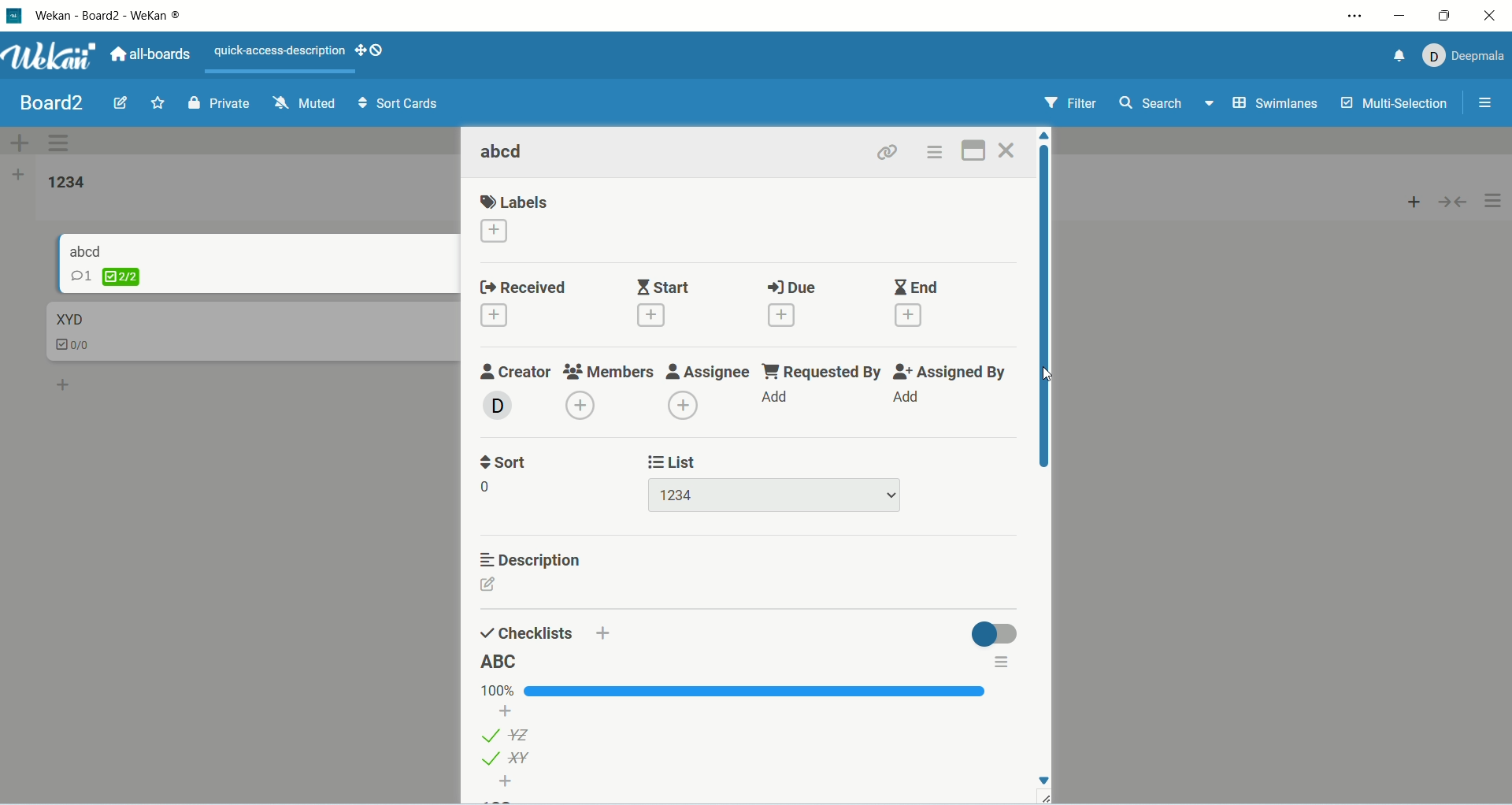 The image size is (1512, 805). I want to click on filter, so click(1070, 103).